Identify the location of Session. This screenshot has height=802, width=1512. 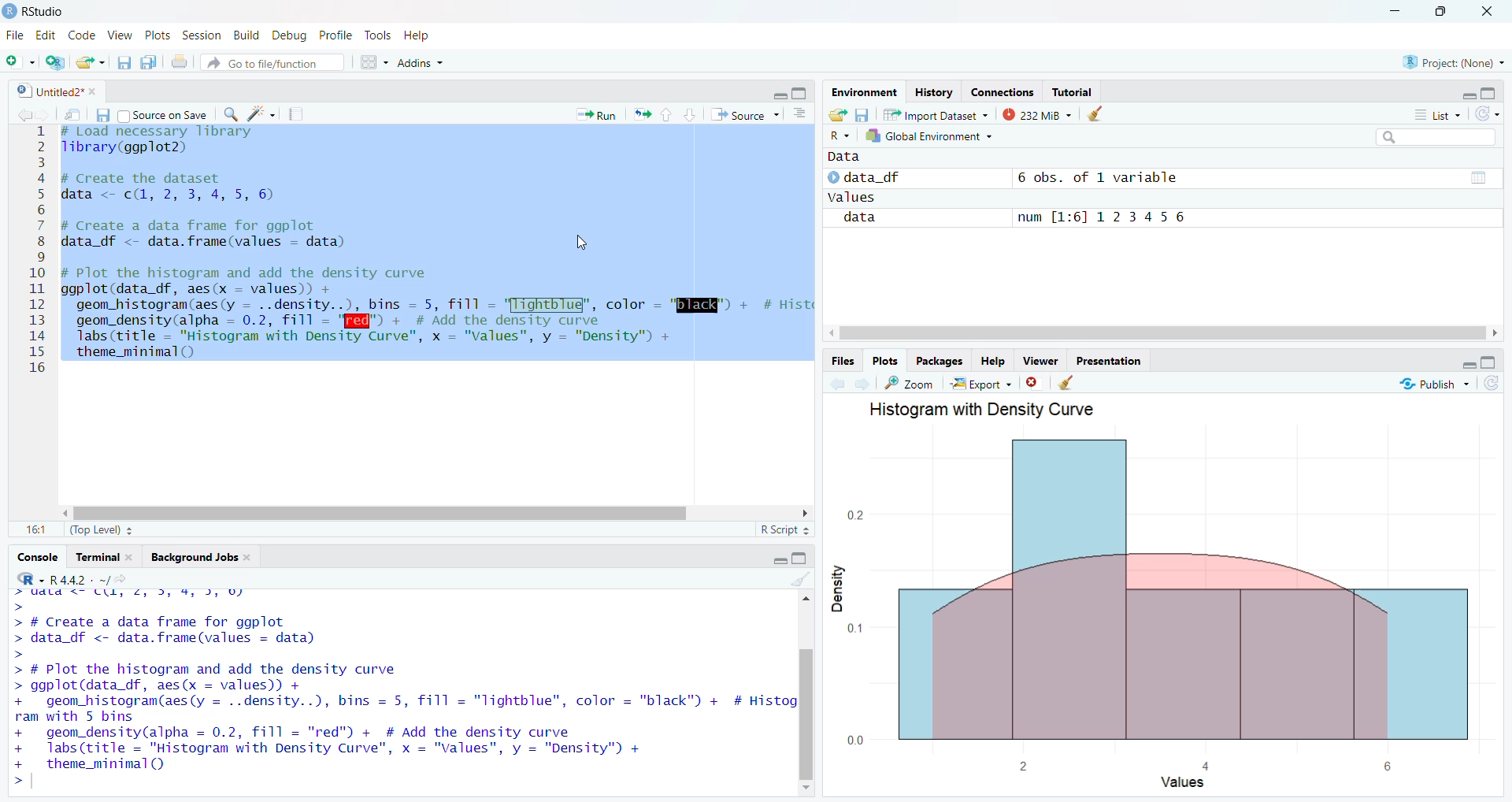
(203, 34).